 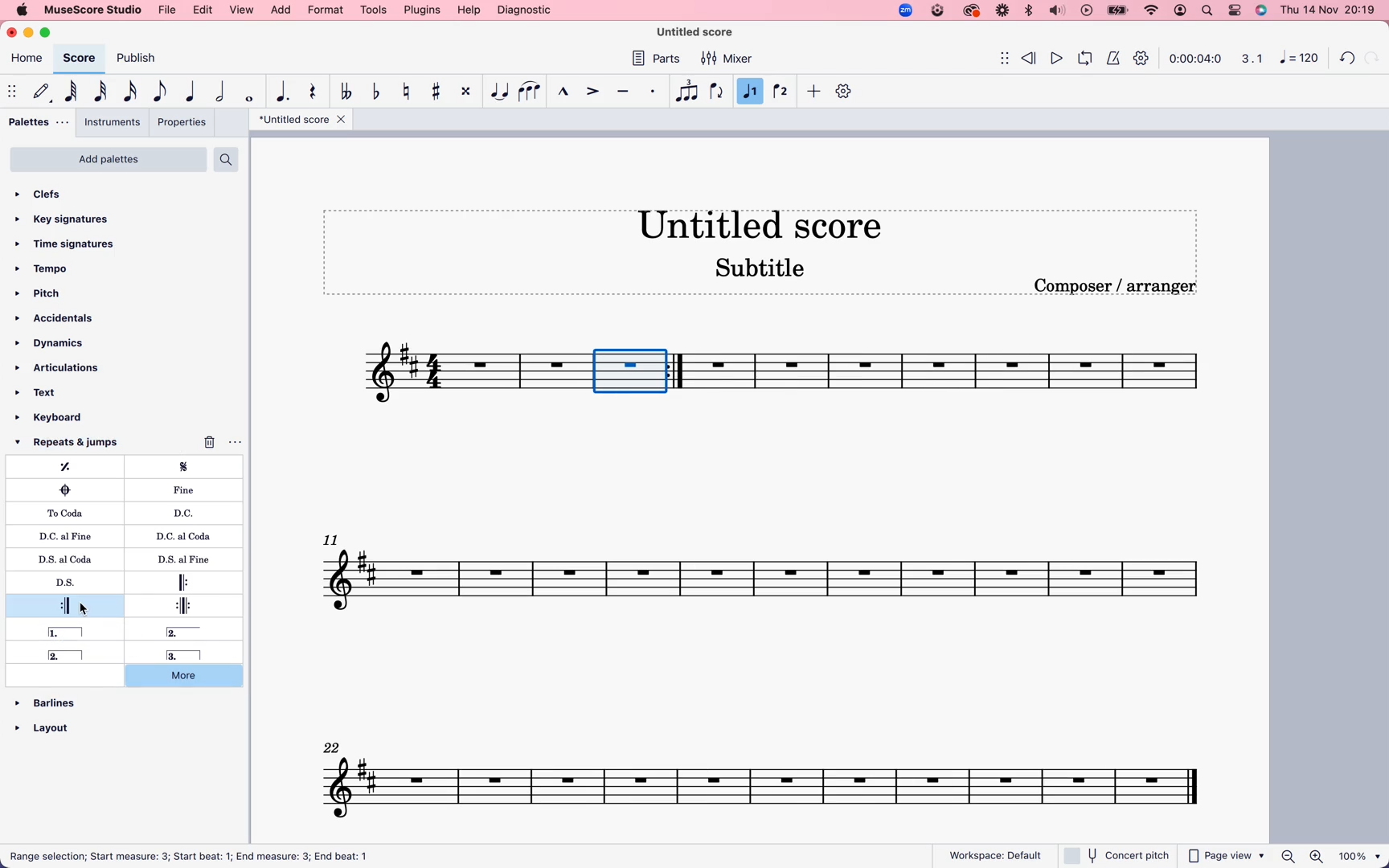 What do you see at coordinates (227, 159) in the screenshot?
I see `search` at bounding box center [227, 159].